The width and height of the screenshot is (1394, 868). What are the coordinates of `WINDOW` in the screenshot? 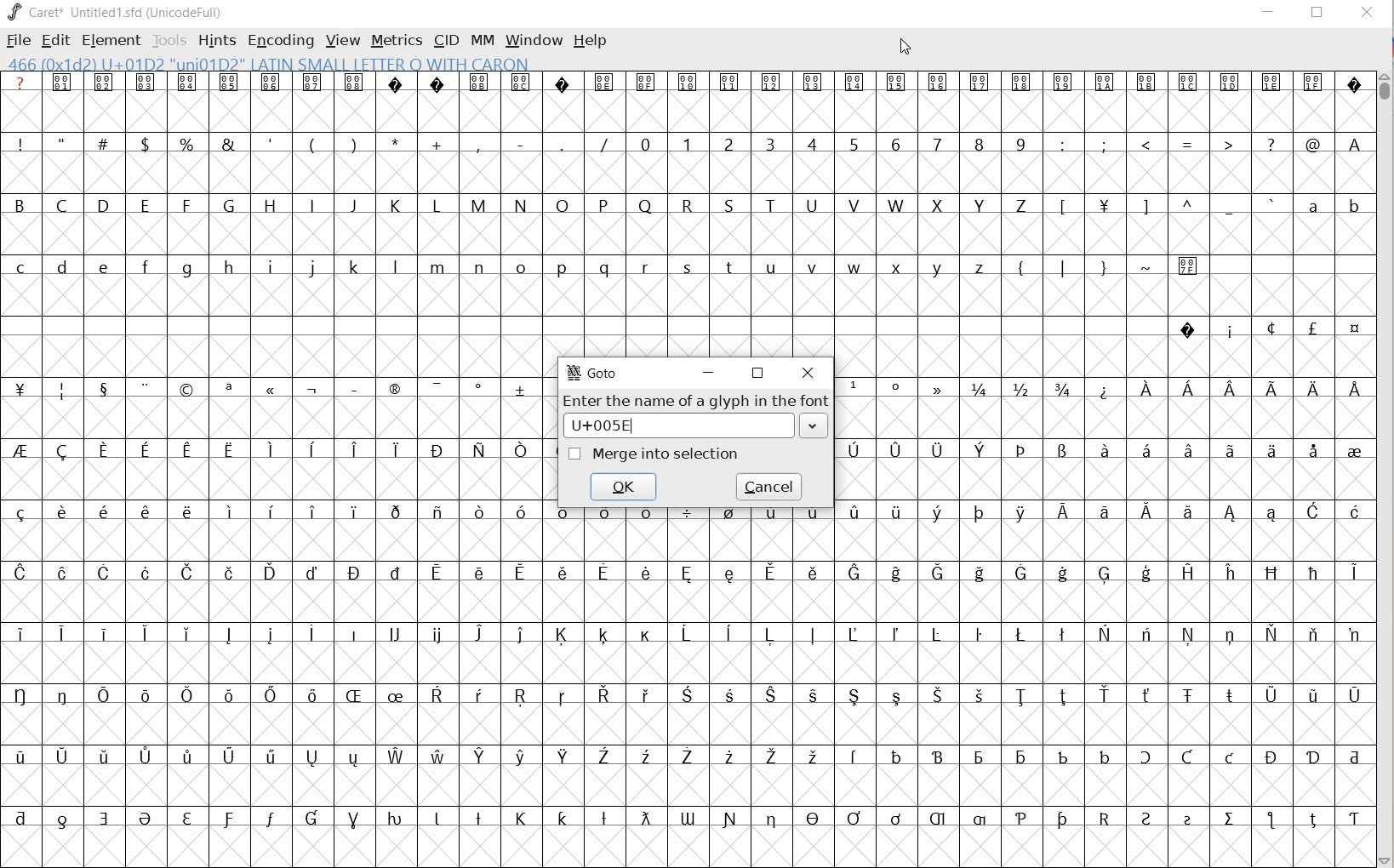 It's located at (532, 39).